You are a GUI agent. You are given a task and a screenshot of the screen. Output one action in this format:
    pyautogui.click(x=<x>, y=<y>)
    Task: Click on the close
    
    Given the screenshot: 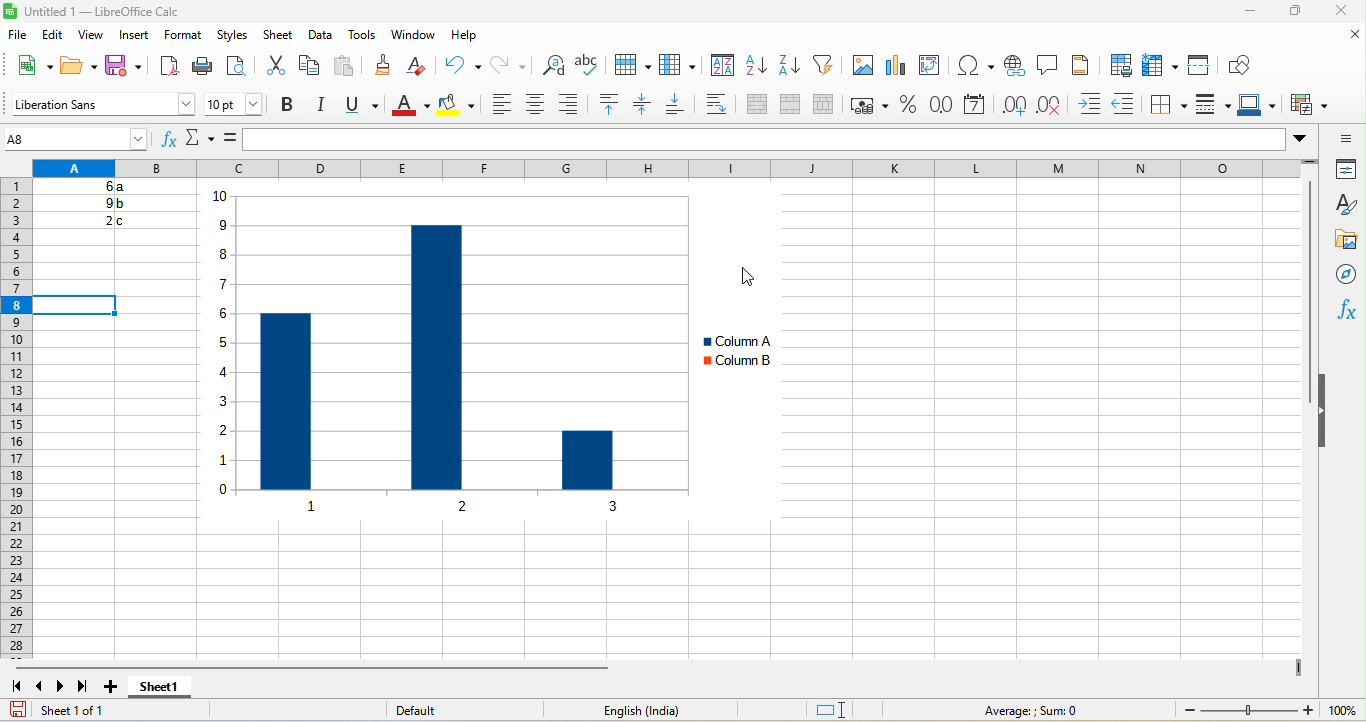 What is the action you would take?
    pyautogui.click(x=1349, y=39)
    